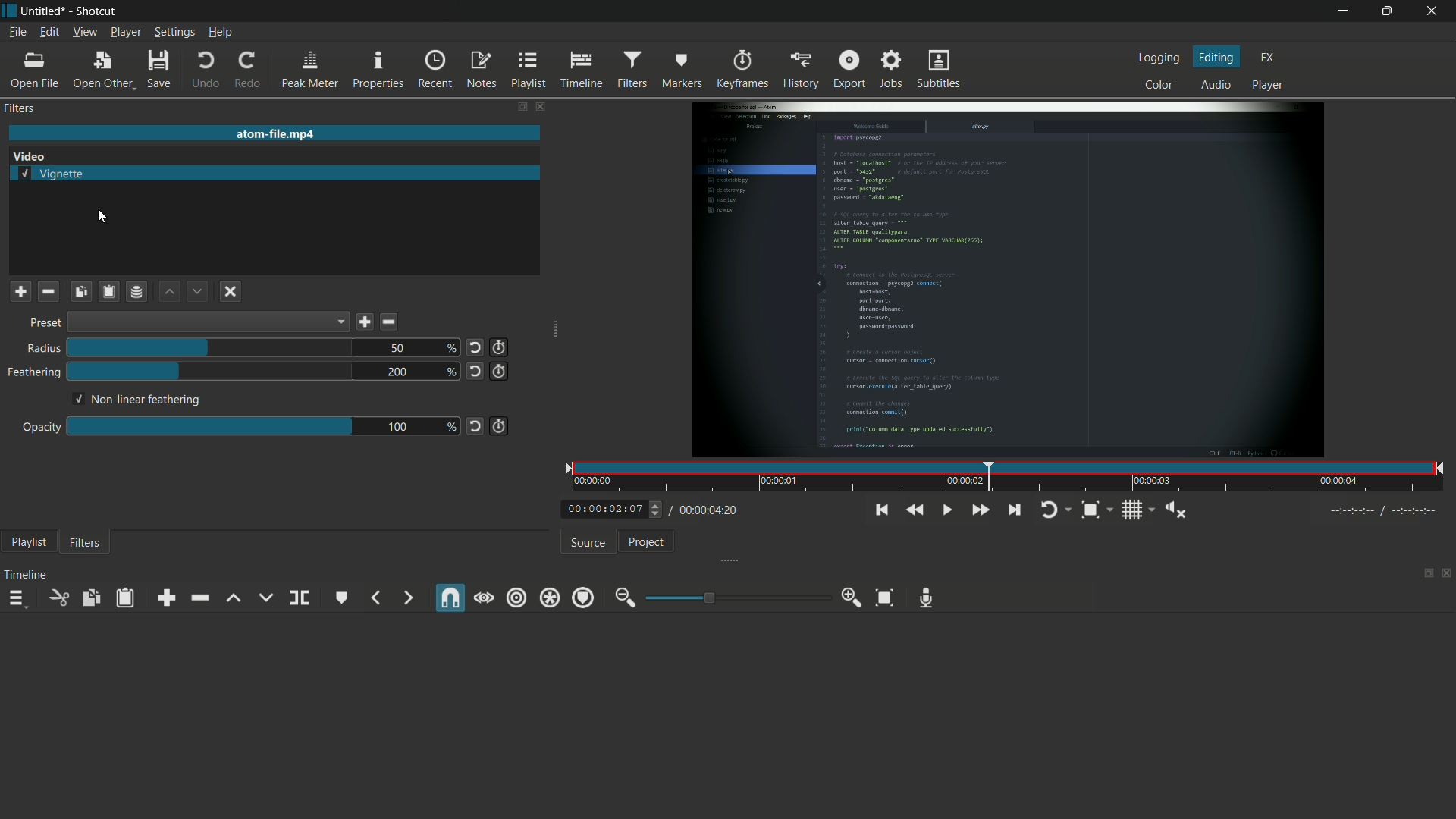 The height and width of the screenshot is (819, 1456). What do you see at coordinates (913, 510) in the screenshot?
I see `quickly play backward` at bounding box center [913, 510].